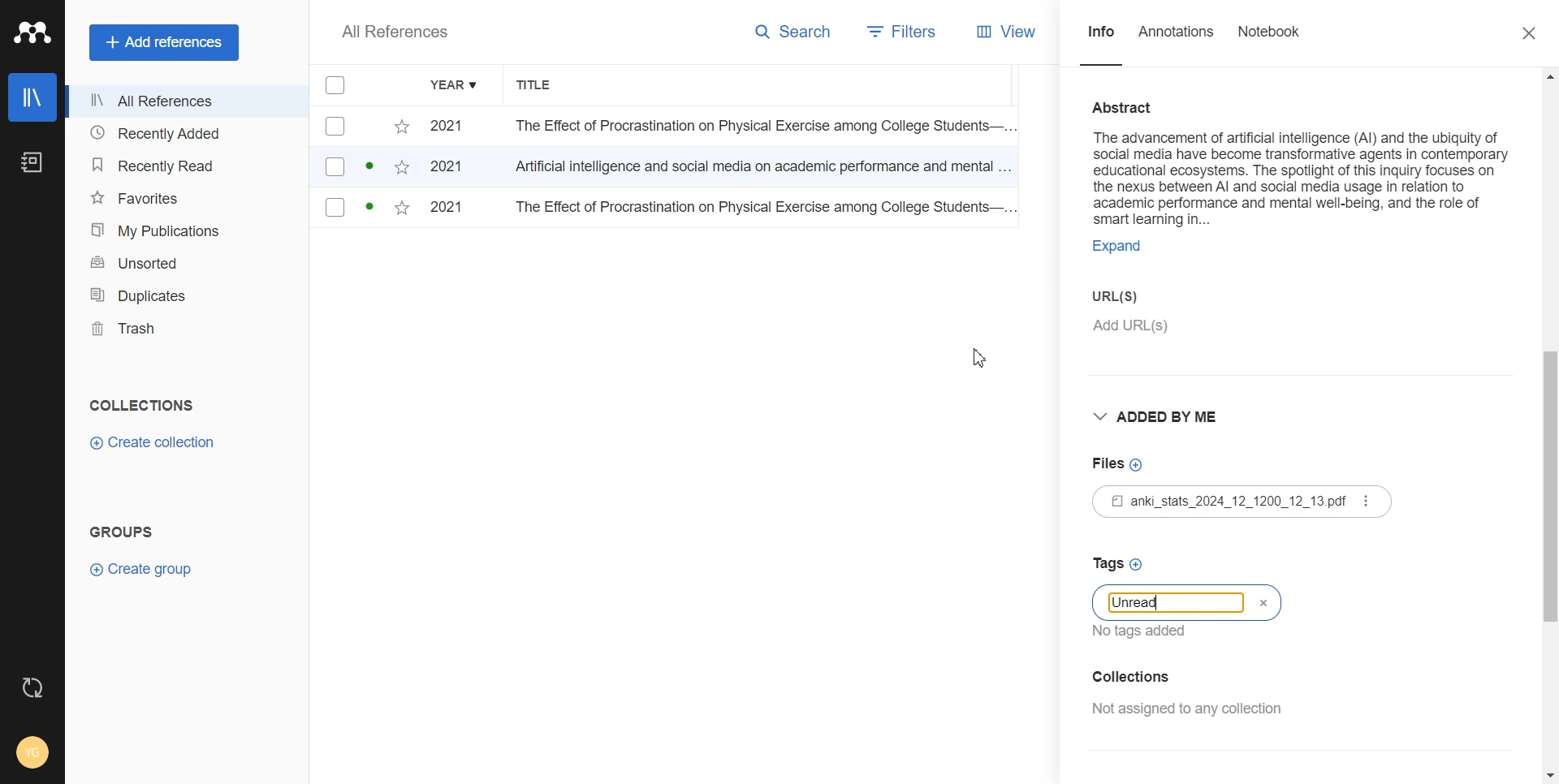 This screenshot has height=784, width=1559. I want to click on The Effect of Procrastination on Physical Exercise among College Students..., so click(758, 127).